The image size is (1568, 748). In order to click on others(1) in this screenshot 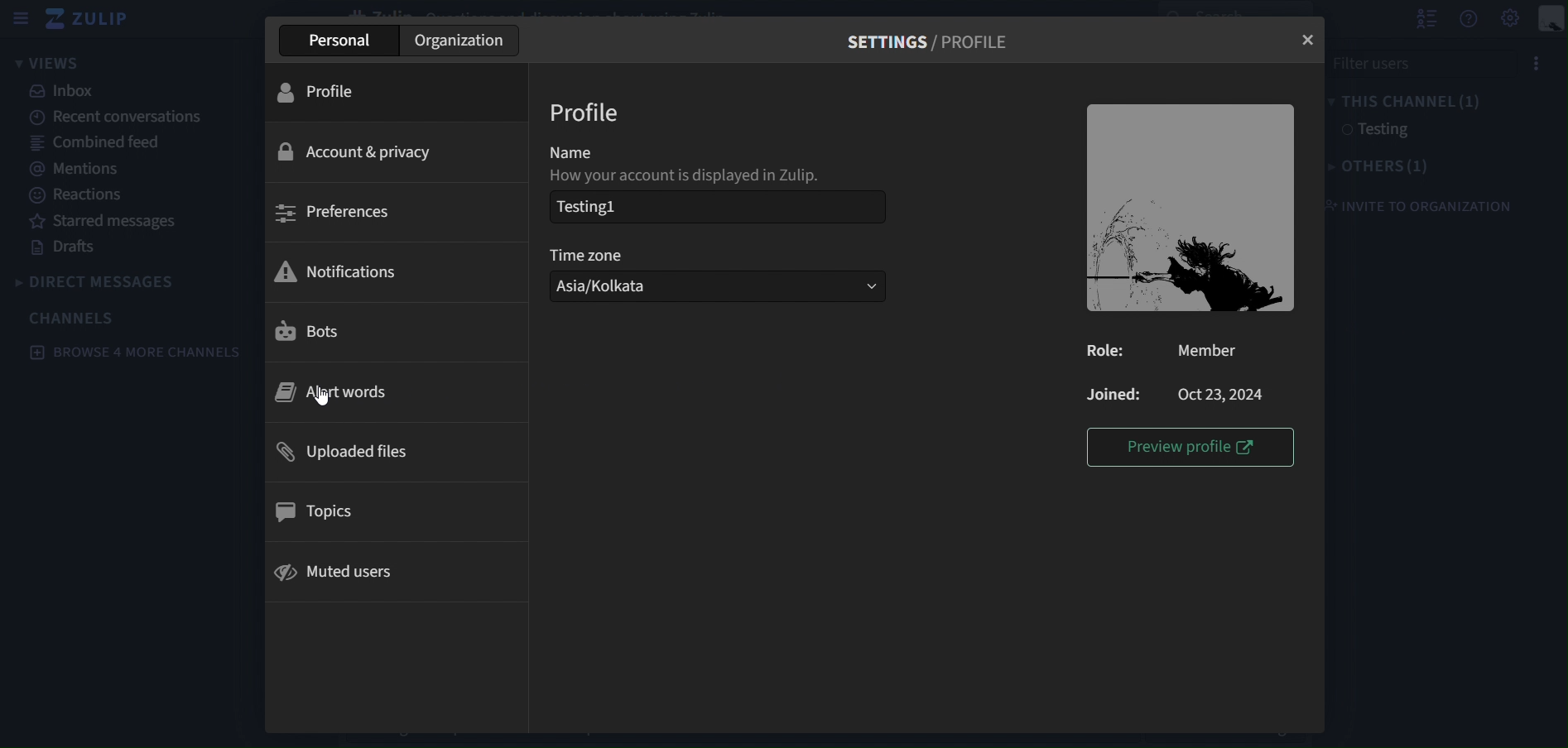, I will do `click(1381, 167)`.